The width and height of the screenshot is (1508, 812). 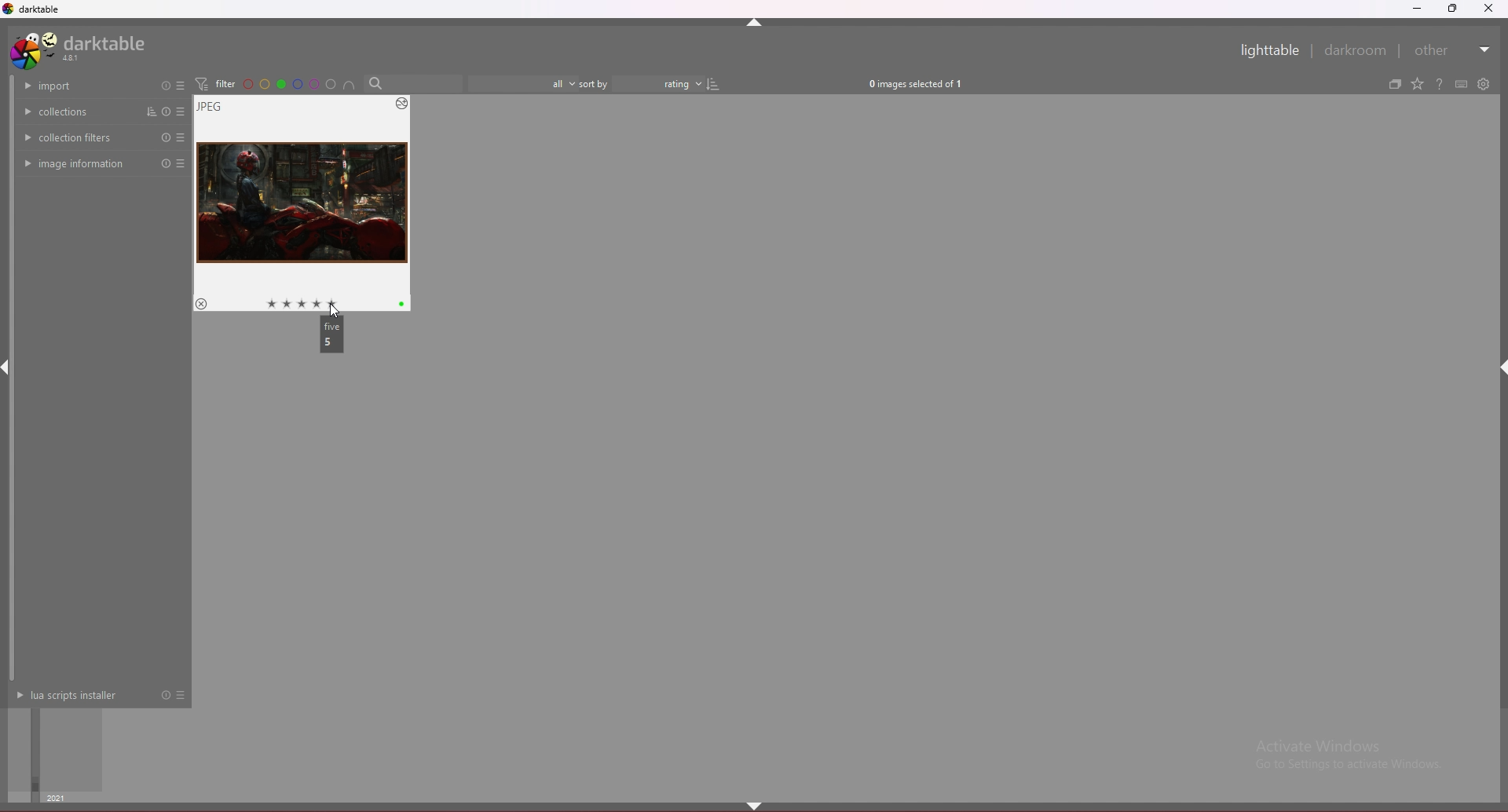 I want to click on import, so click(x=85, y=86).